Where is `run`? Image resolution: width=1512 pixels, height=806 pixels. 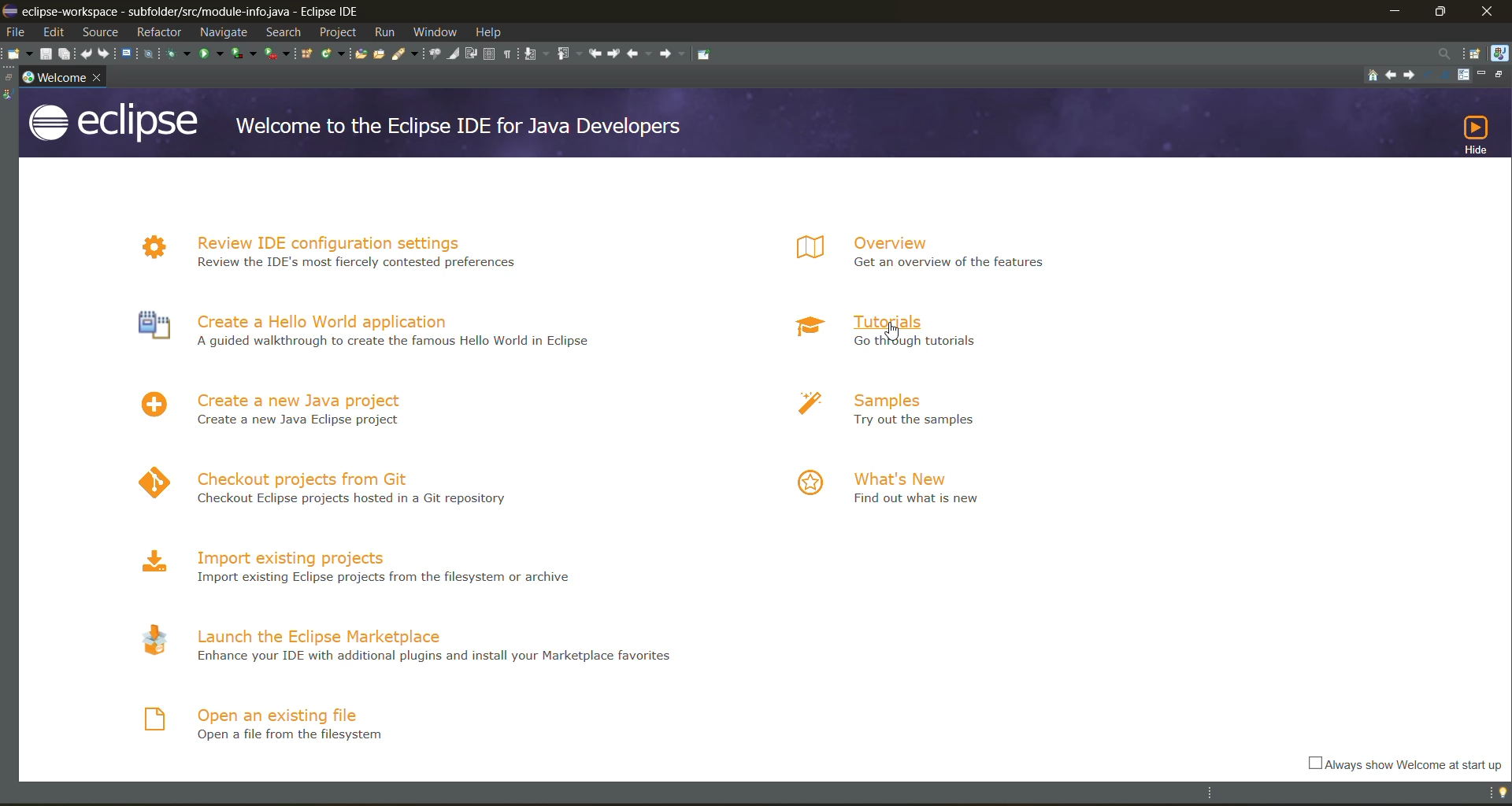 run is located at coordinates (382, 32).